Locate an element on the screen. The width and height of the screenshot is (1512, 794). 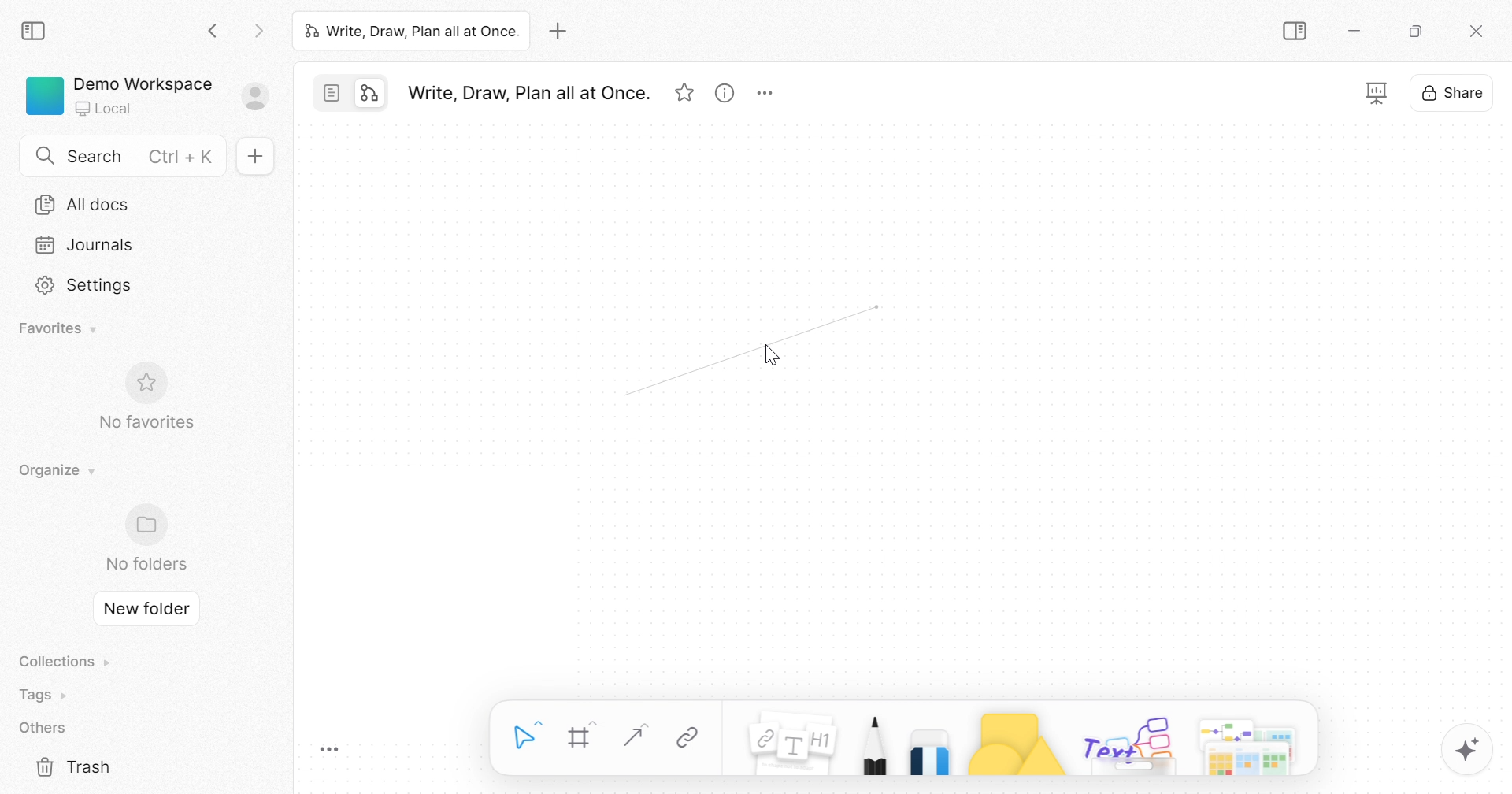
Favorites is located at coordinates (685, 94).